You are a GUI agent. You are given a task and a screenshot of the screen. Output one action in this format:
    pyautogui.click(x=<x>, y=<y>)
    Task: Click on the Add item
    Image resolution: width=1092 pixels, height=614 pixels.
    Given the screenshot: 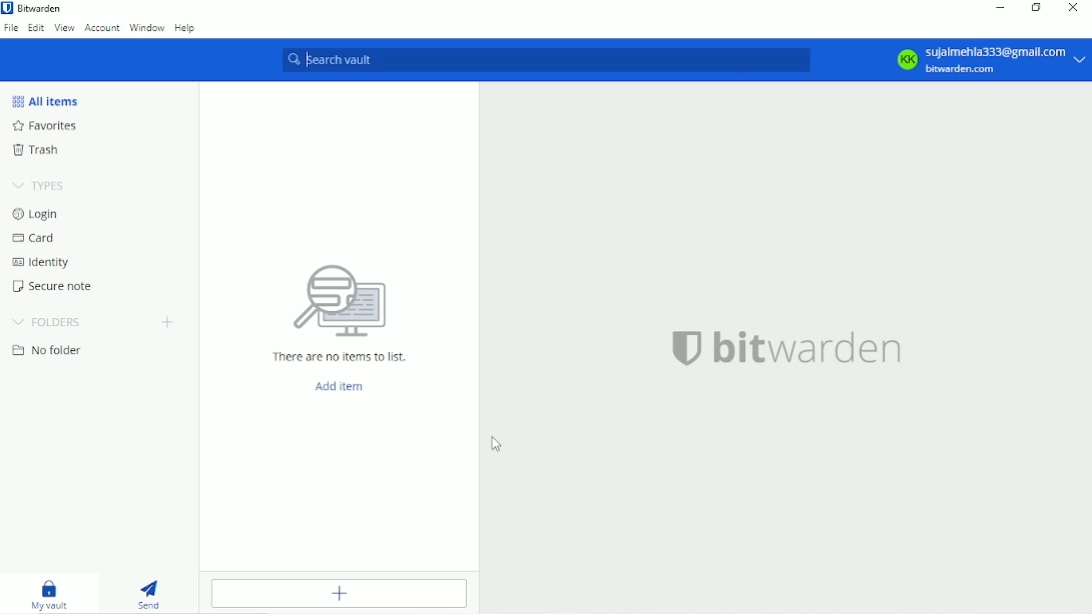 What is the action you would take?
    pyautogui.click(x=343, y=387)
    